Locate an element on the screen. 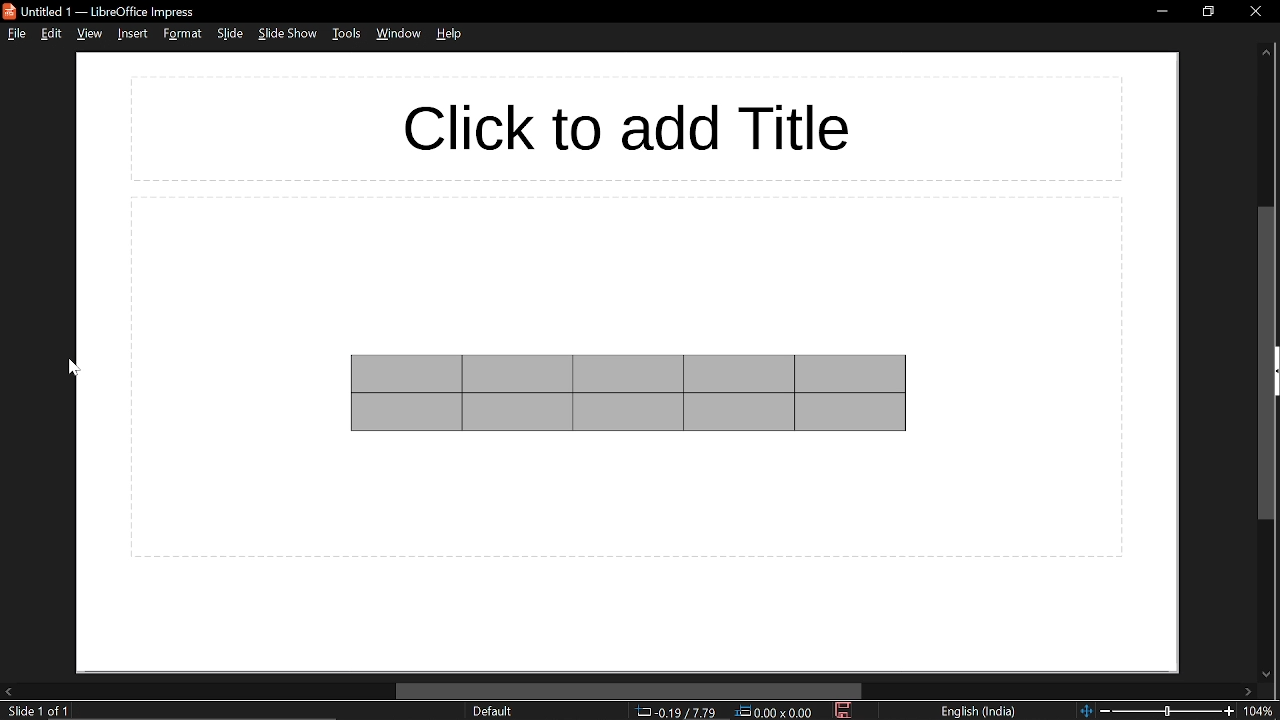 This screenshot has width=1280, height=720. current slide is located at coordinates (34, 712).